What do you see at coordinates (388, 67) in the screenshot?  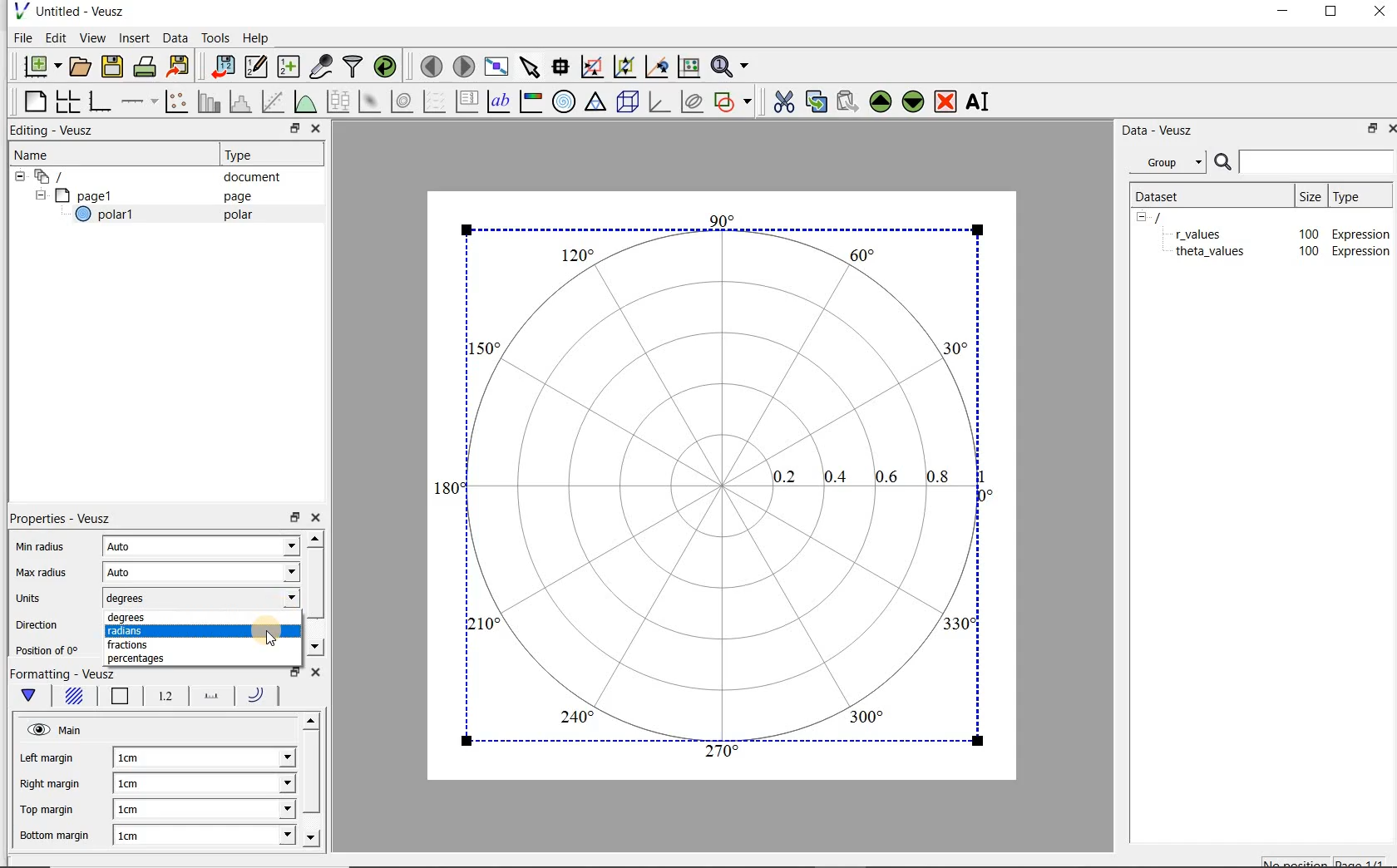 I see `reload linked datasets` at bounding box center [388, 67].